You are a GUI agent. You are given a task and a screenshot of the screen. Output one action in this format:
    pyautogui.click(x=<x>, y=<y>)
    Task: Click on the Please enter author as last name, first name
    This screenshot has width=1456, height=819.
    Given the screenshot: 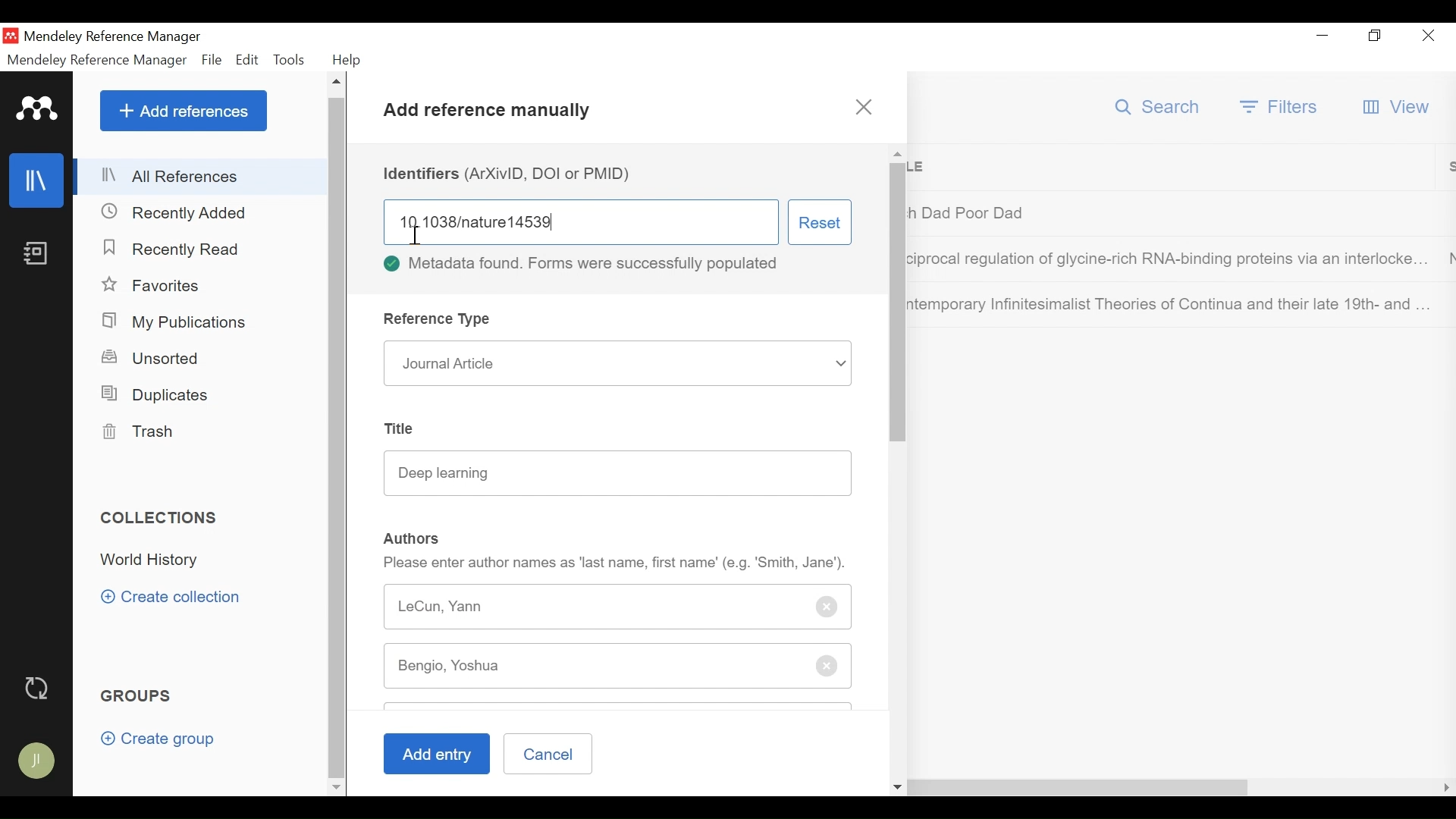 What is the action you would take?
    pyautogui.click(x=616, y=563)
    